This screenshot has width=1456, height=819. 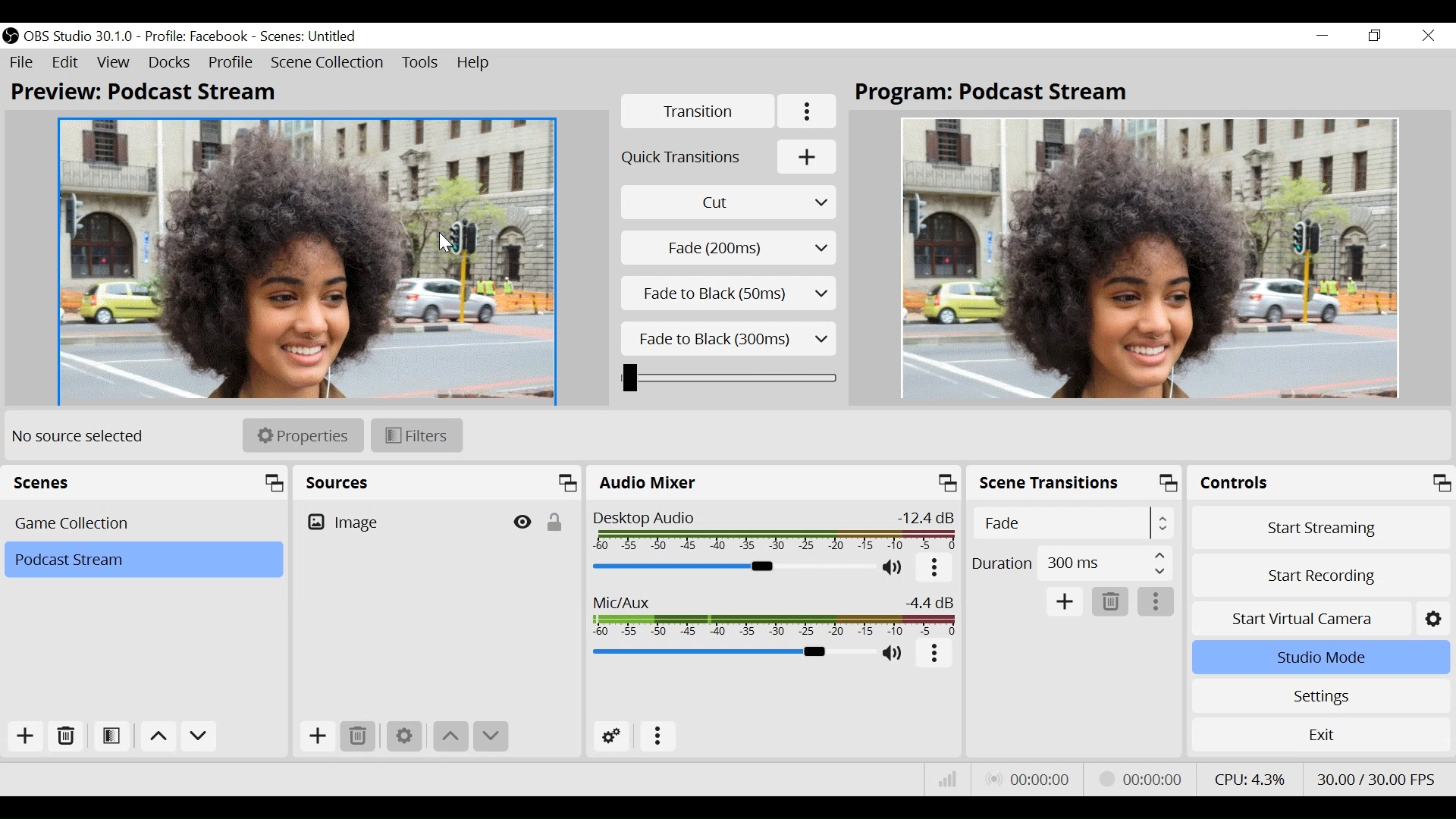 I want to click on Settings, so click(x=1319, y=696).